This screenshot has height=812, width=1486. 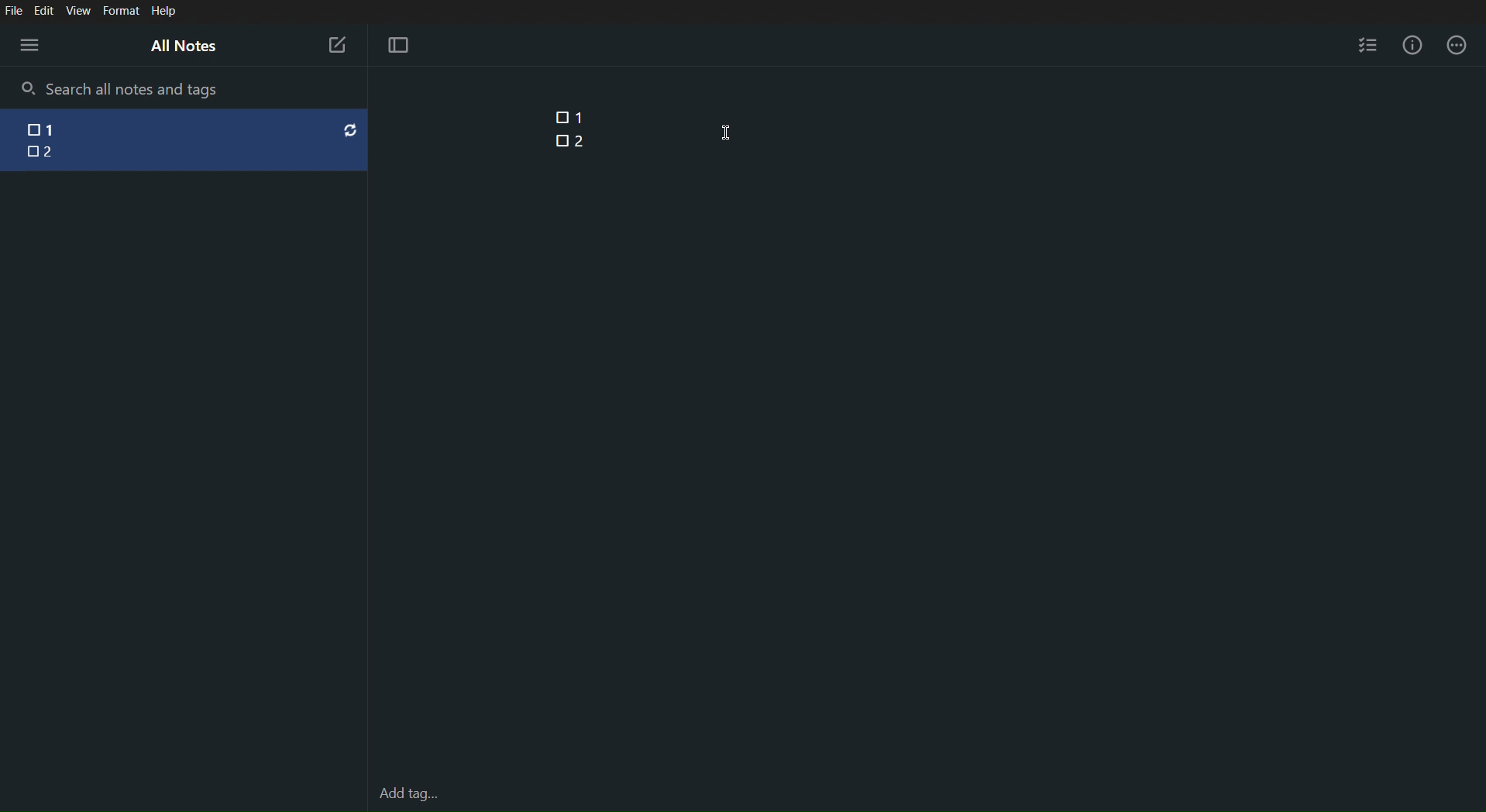 What do you see at coordinates (1367, 43) in the screenshot?
I see `Checklist` at bounding box center [1367, 43].